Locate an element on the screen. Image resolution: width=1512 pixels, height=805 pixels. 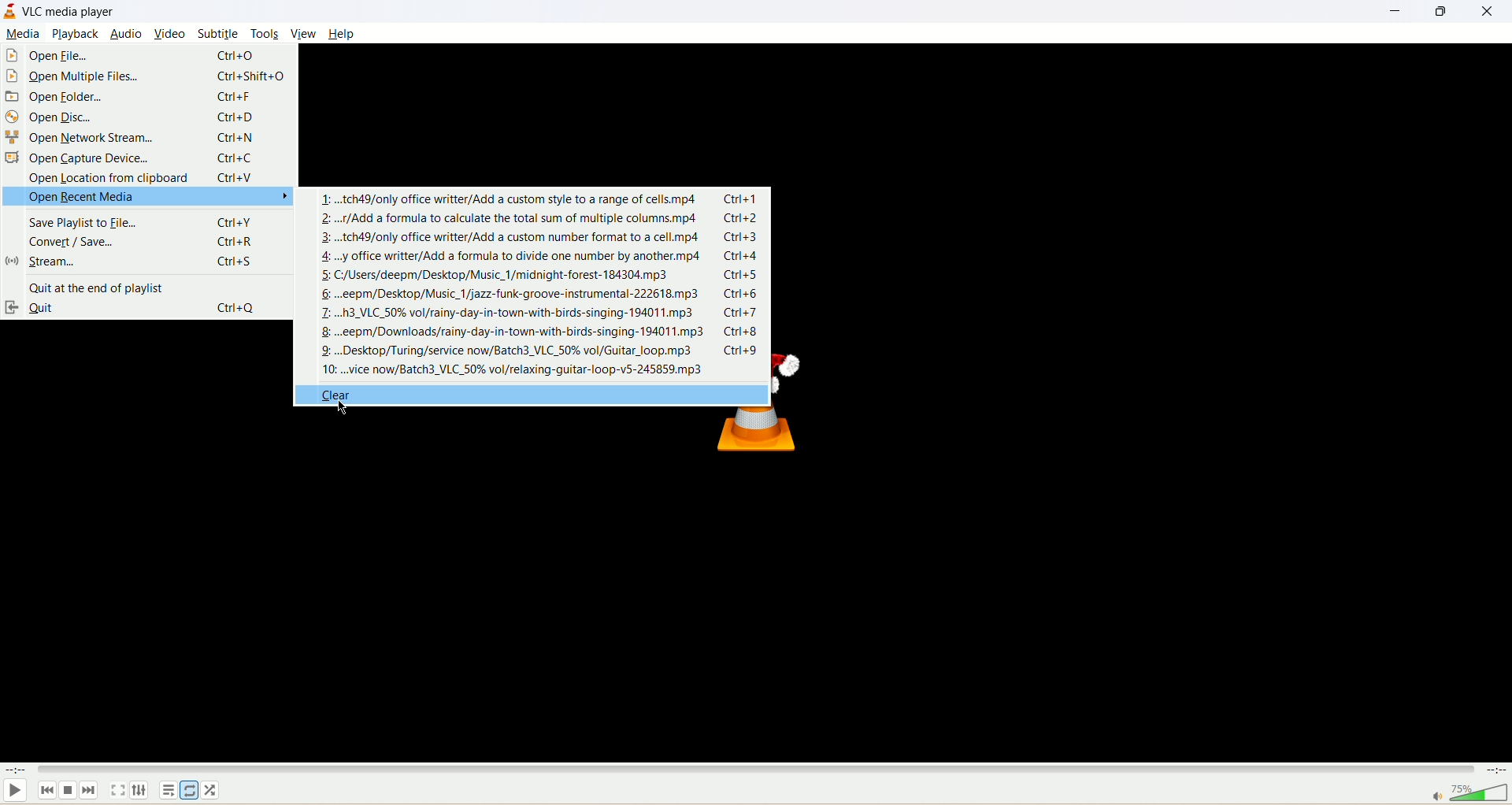
help is located at coordinates (343, 35).